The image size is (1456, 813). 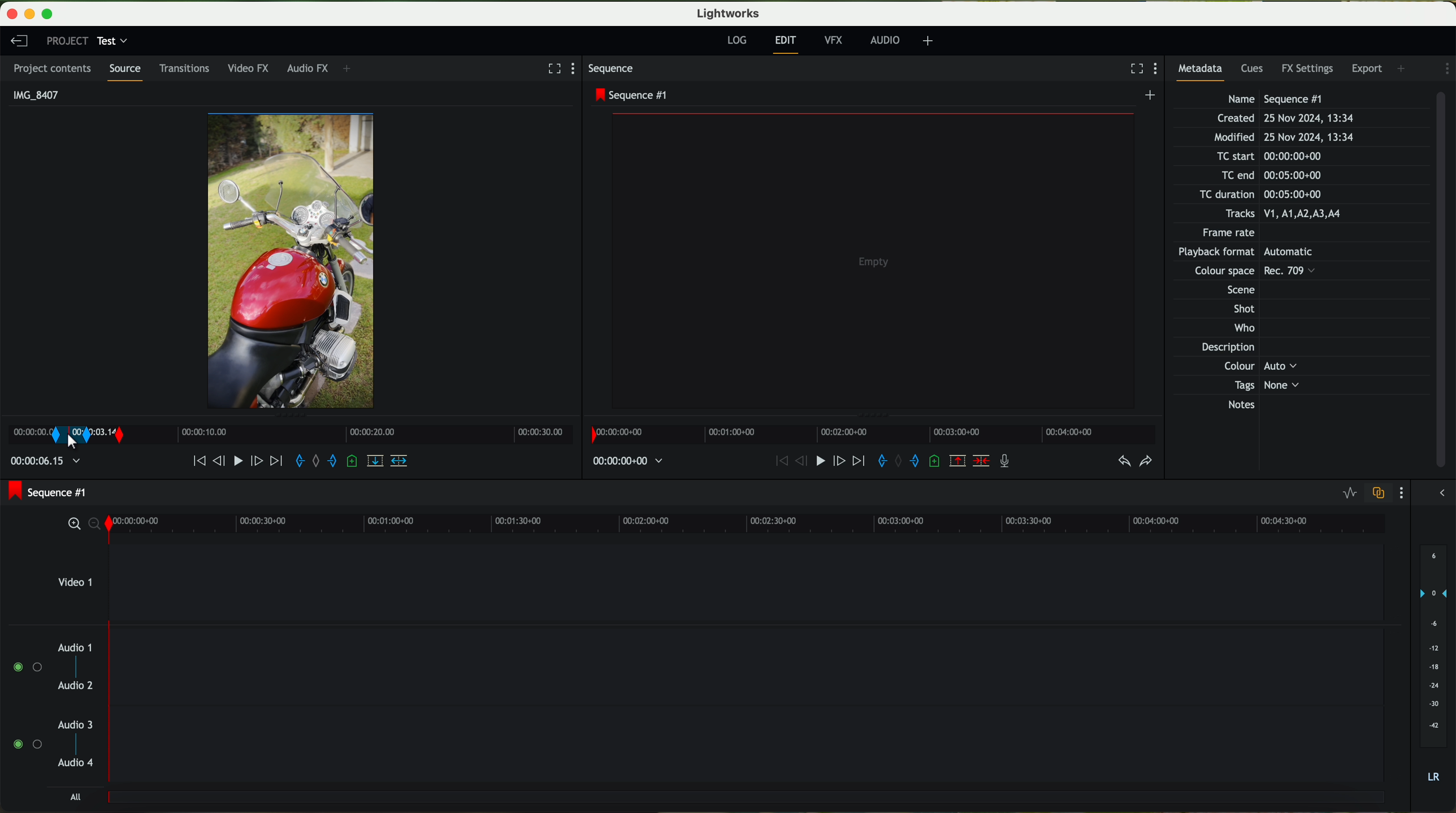 What do you see at coordinates (276, 461) in the screenshot?
I see `move foward` at bounding box center [276, 461].